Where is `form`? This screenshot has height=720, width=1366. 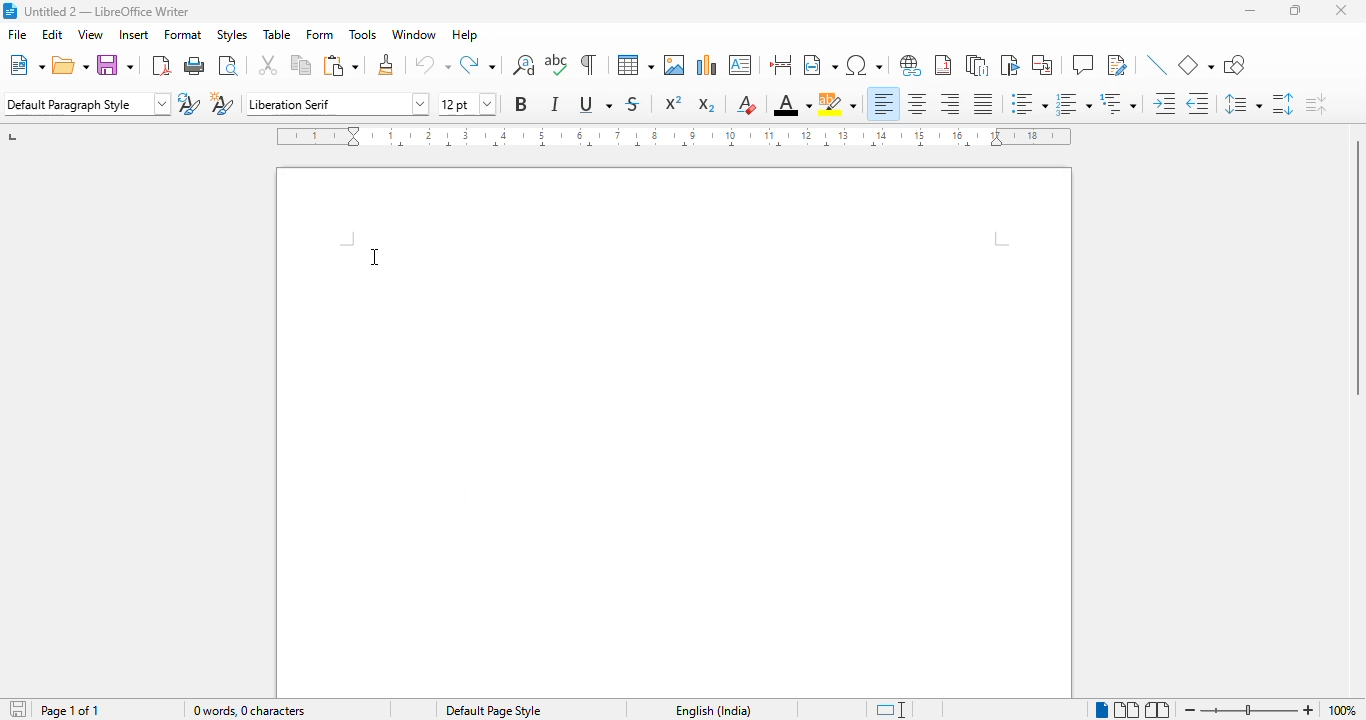 form is located at coordinates (319, 35).